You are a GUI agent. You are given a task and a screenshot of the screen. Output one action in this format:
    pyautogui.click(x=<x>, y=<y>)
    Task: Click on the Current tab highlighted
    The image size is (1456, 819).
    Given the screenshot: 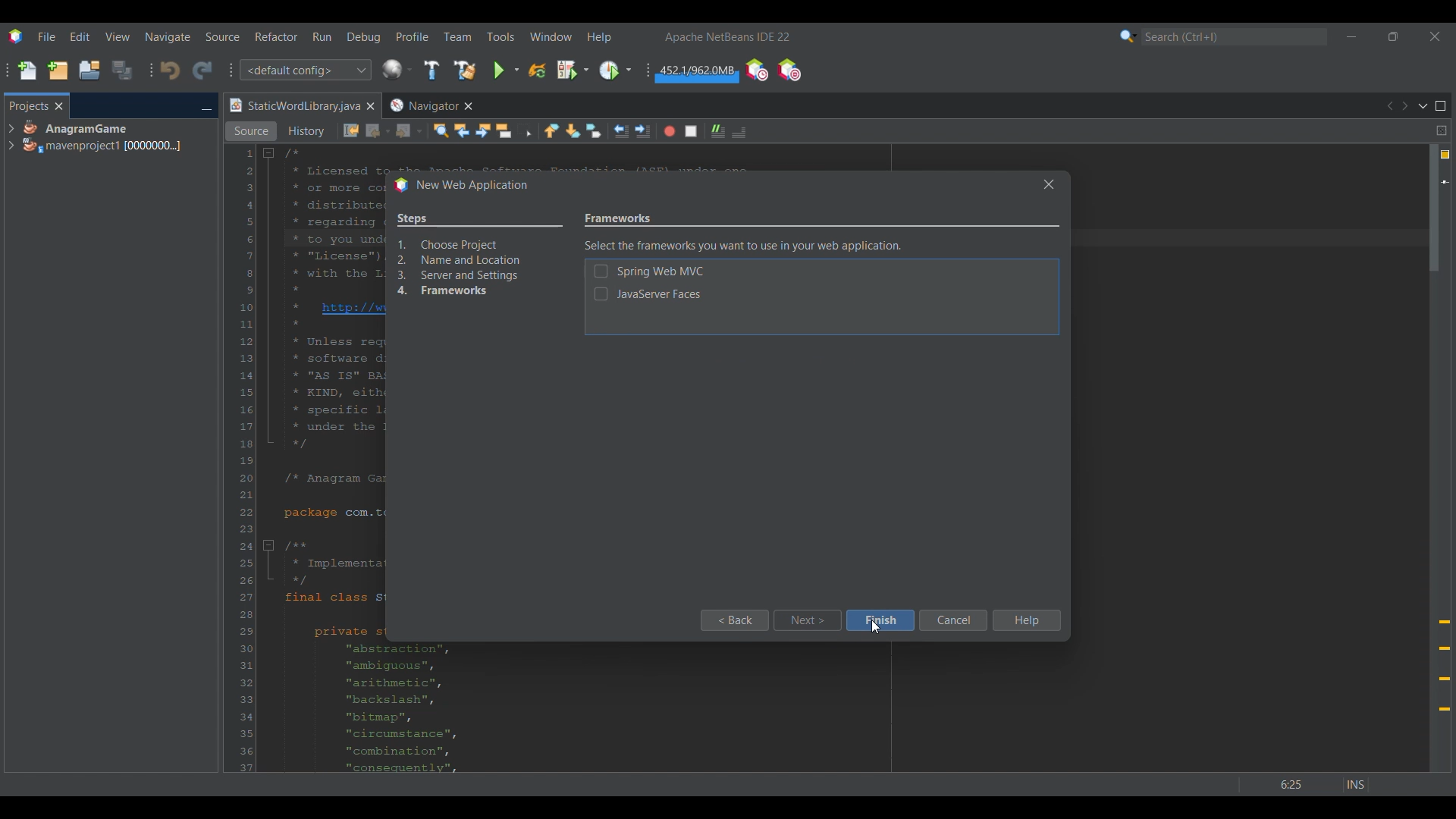 What is the action you would take?
    pyautogui.click(x=293, y=106)
    